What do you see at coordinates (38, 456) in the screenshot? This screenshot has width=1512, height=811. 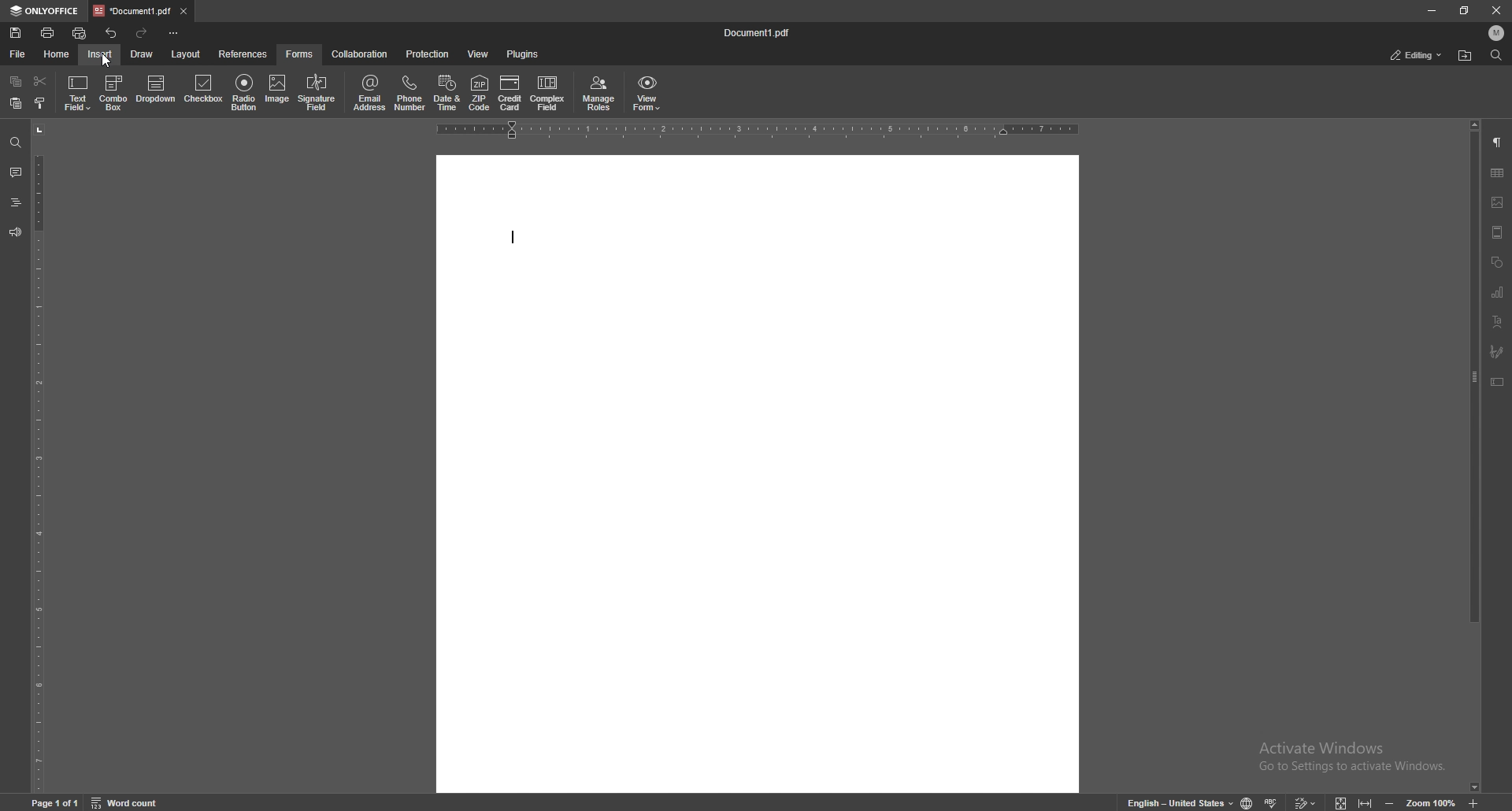 I see `vertical scale` at bounding box center [38, 456].